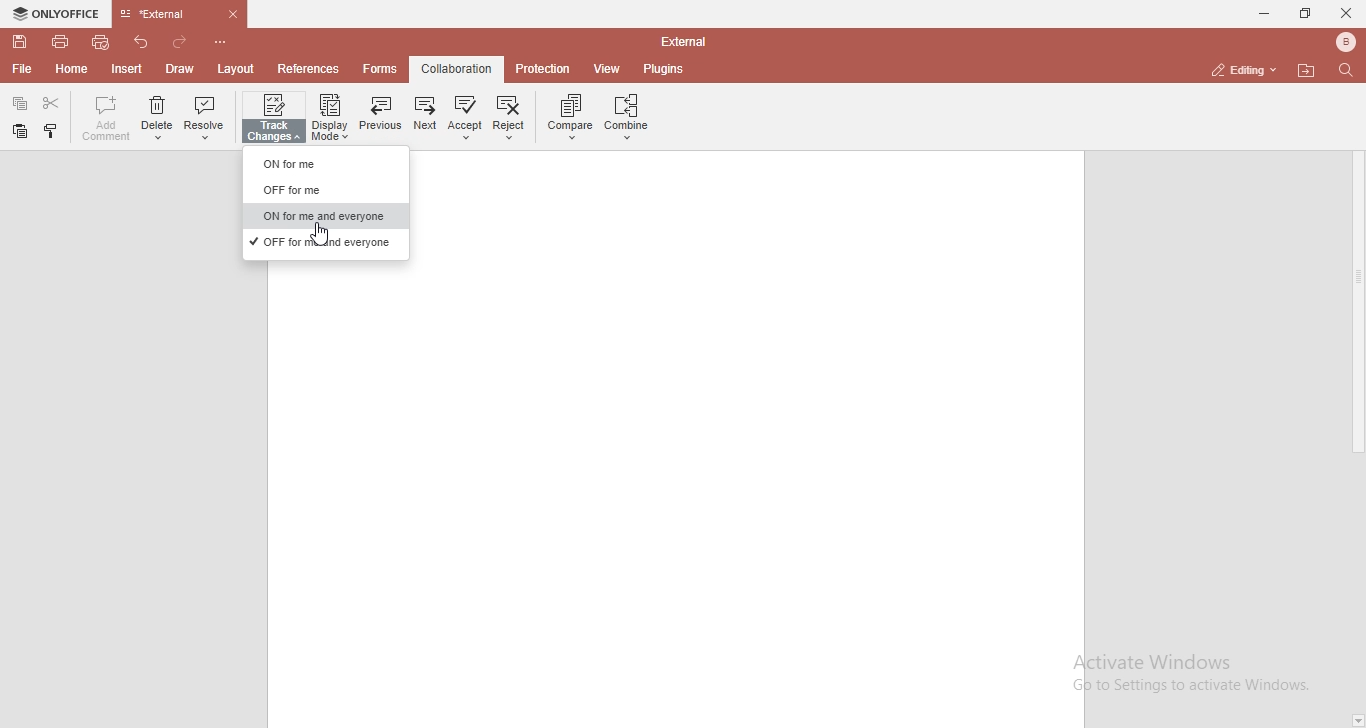 This screenshot has width=1366, height=728. What do you see at coordinates (683, 40) in the screenshot?
I see `file name` at bounding box center [683, 40].